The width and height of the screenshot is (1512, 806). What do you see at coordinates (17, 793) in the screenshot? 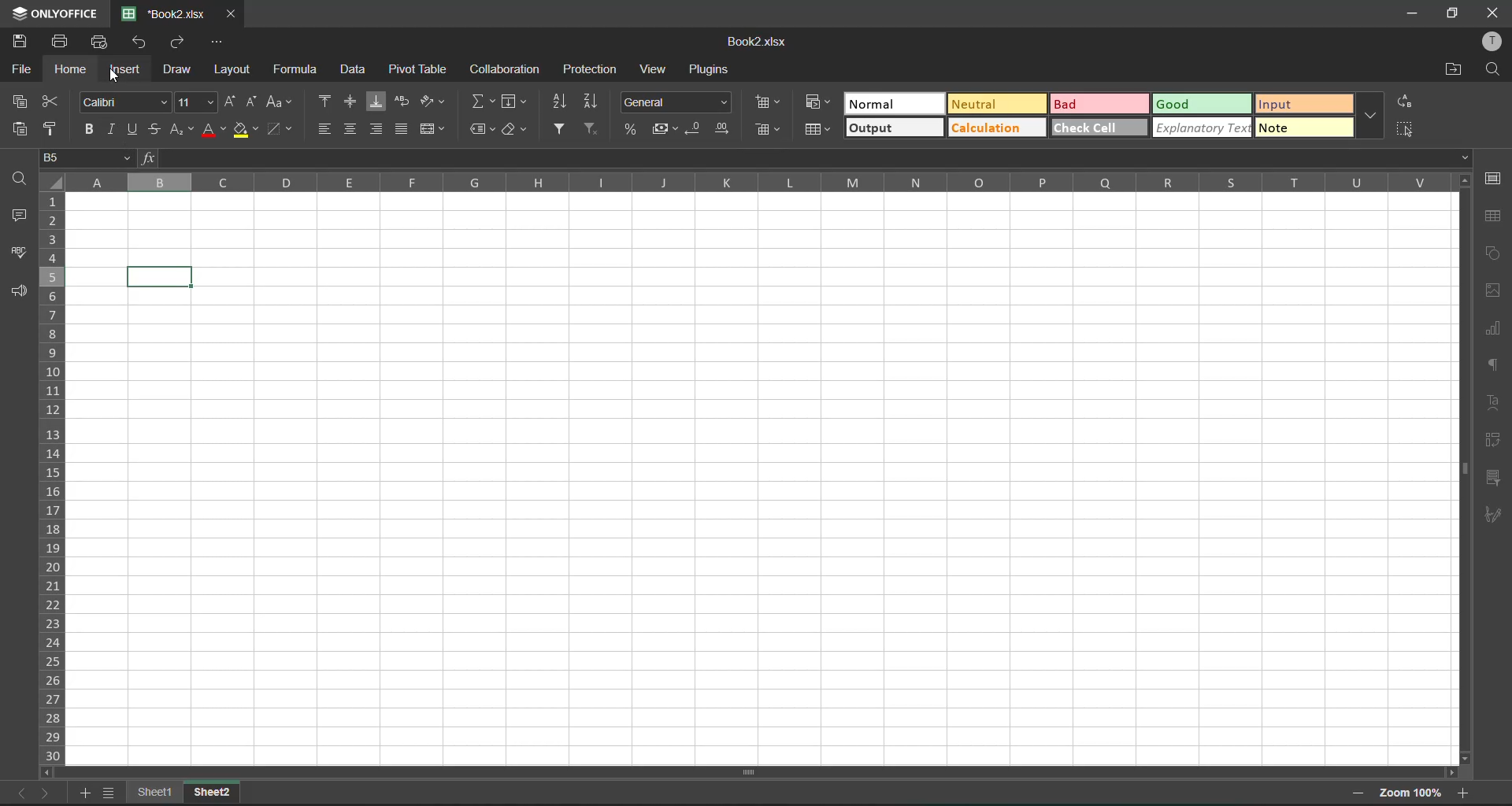
I see `previous` at bounding box center [17, 793].